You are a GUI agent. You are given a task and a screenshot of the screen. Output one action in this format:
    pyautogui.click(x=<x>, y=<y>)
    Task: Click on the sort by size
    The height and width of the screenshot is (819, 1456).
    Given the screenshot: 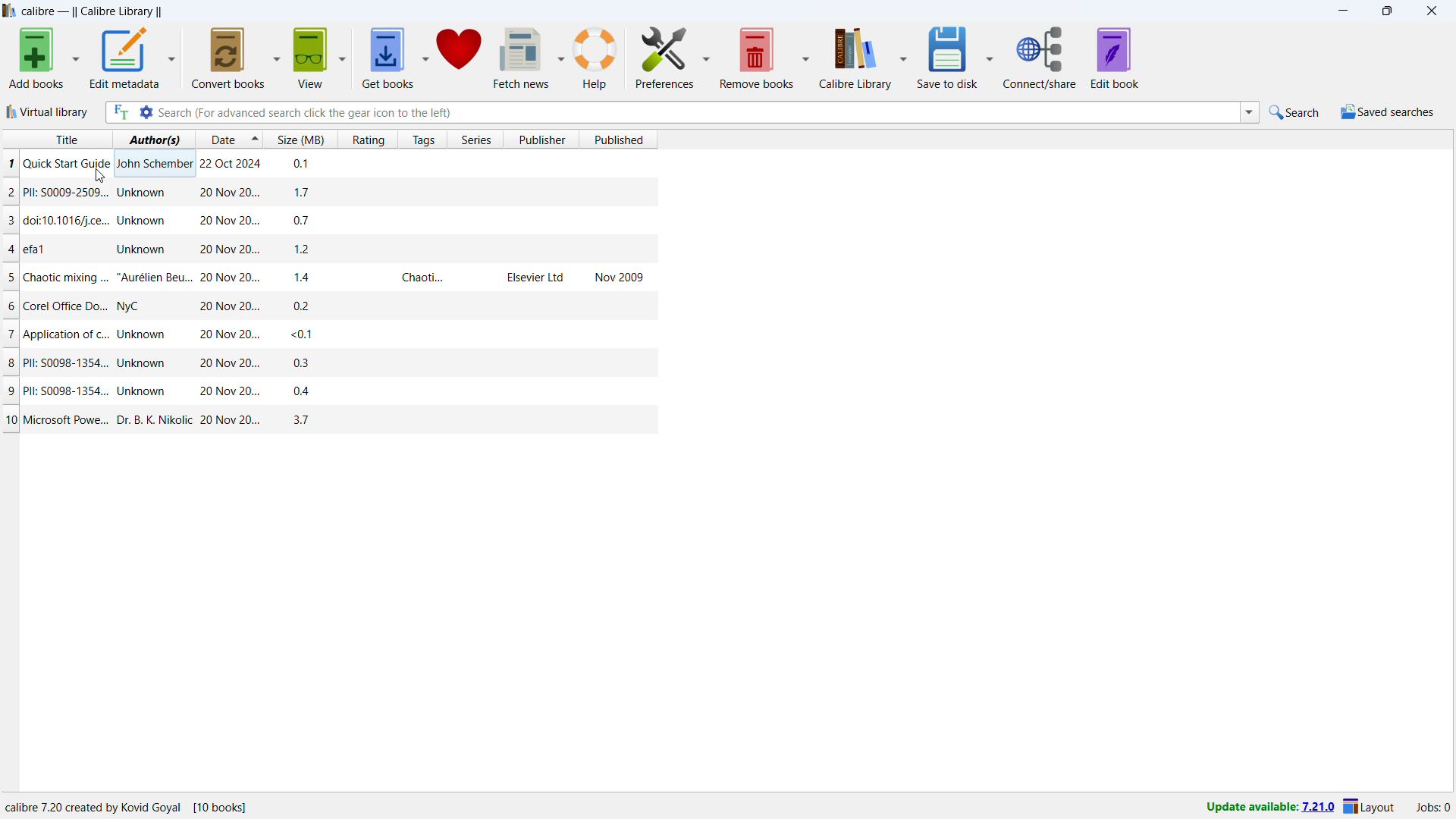 What is the action you would take?
    pyautogui.click(x=301, y=139)
    